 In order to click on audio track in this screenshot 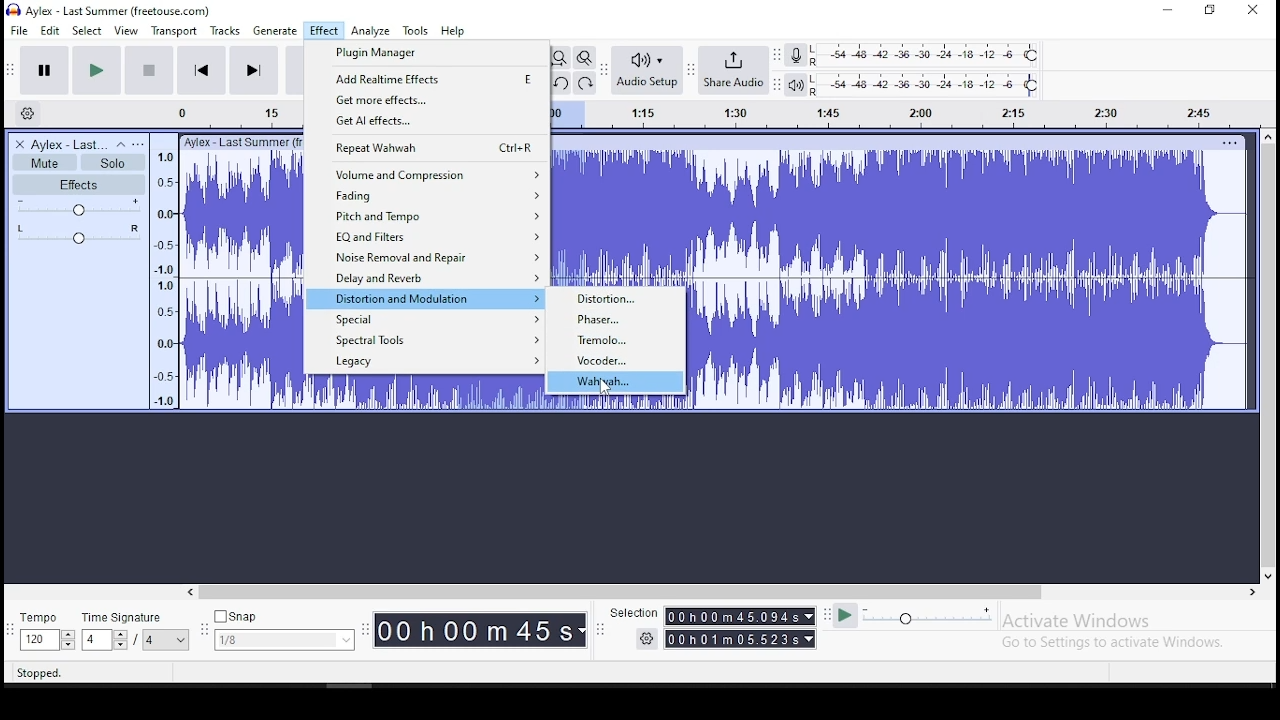, I will do `click(242, 280)`.